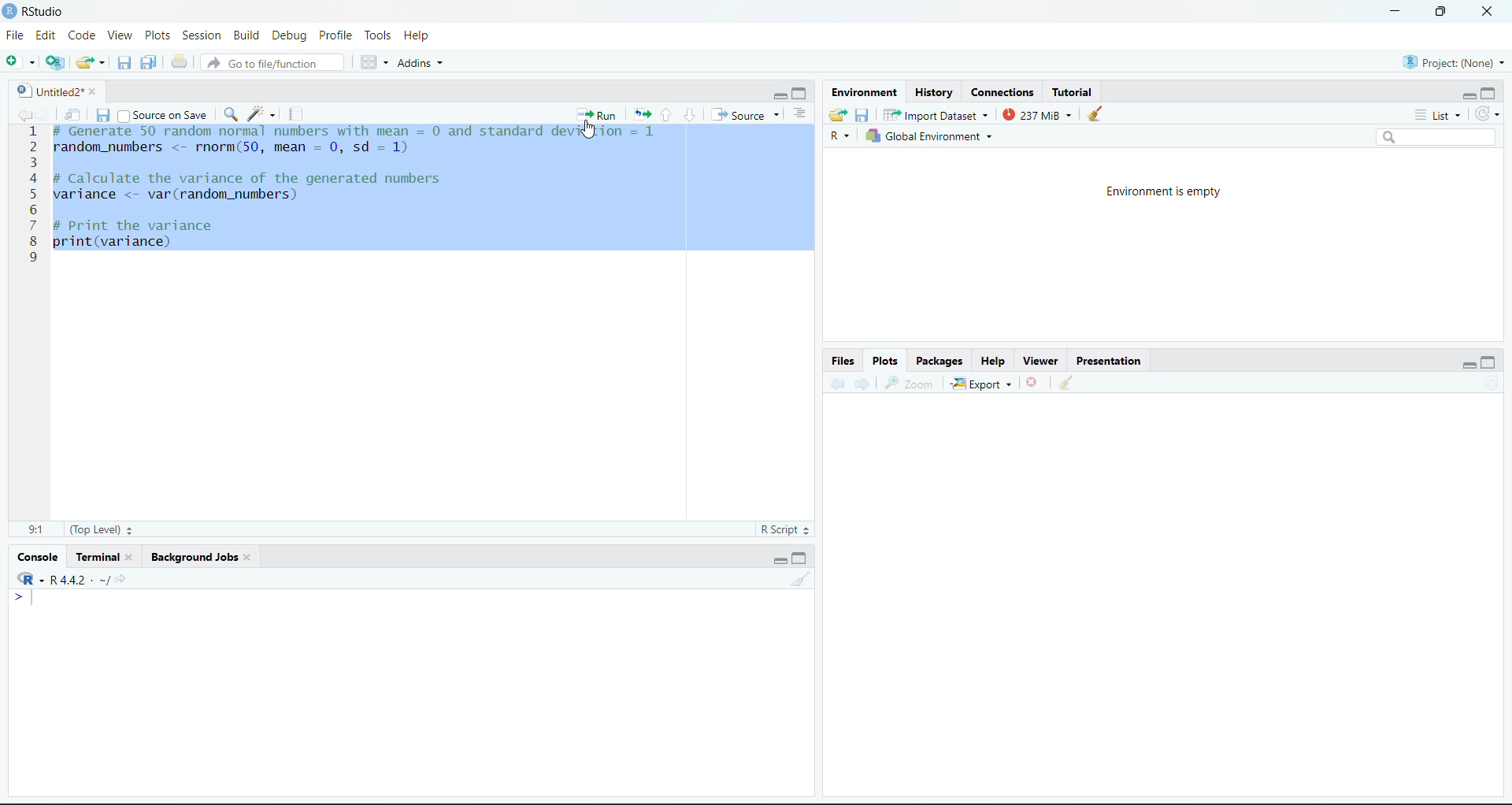  I want to click on Background Jobs, so click(192, 557).